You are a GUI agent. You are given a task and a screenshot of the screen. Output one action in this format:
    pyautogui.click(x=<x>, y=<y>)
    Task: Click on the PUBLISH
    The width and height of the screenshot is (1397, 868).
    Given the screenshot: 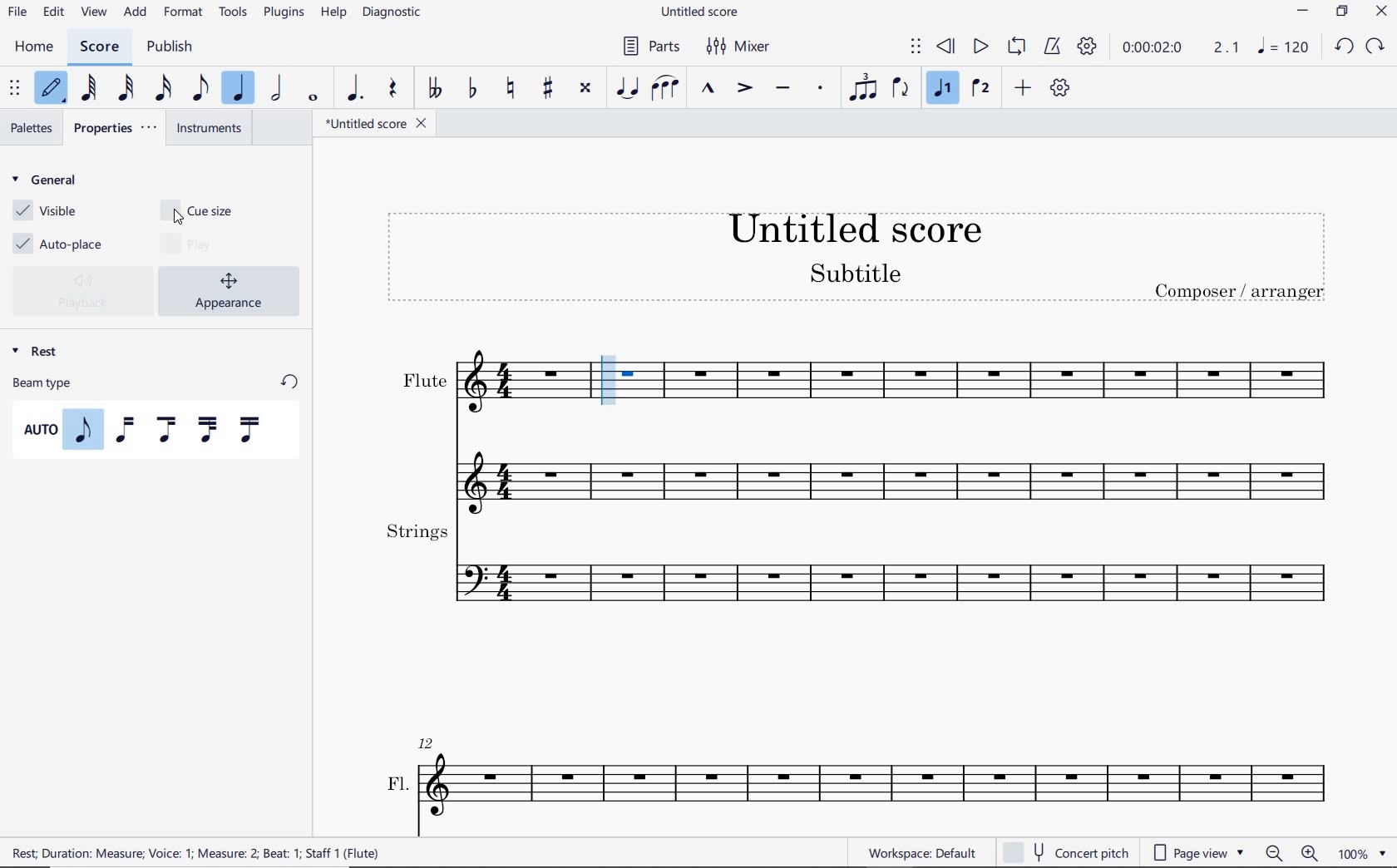 What is the action you would take?
    pyautogui.click(x=170, y=47)
    